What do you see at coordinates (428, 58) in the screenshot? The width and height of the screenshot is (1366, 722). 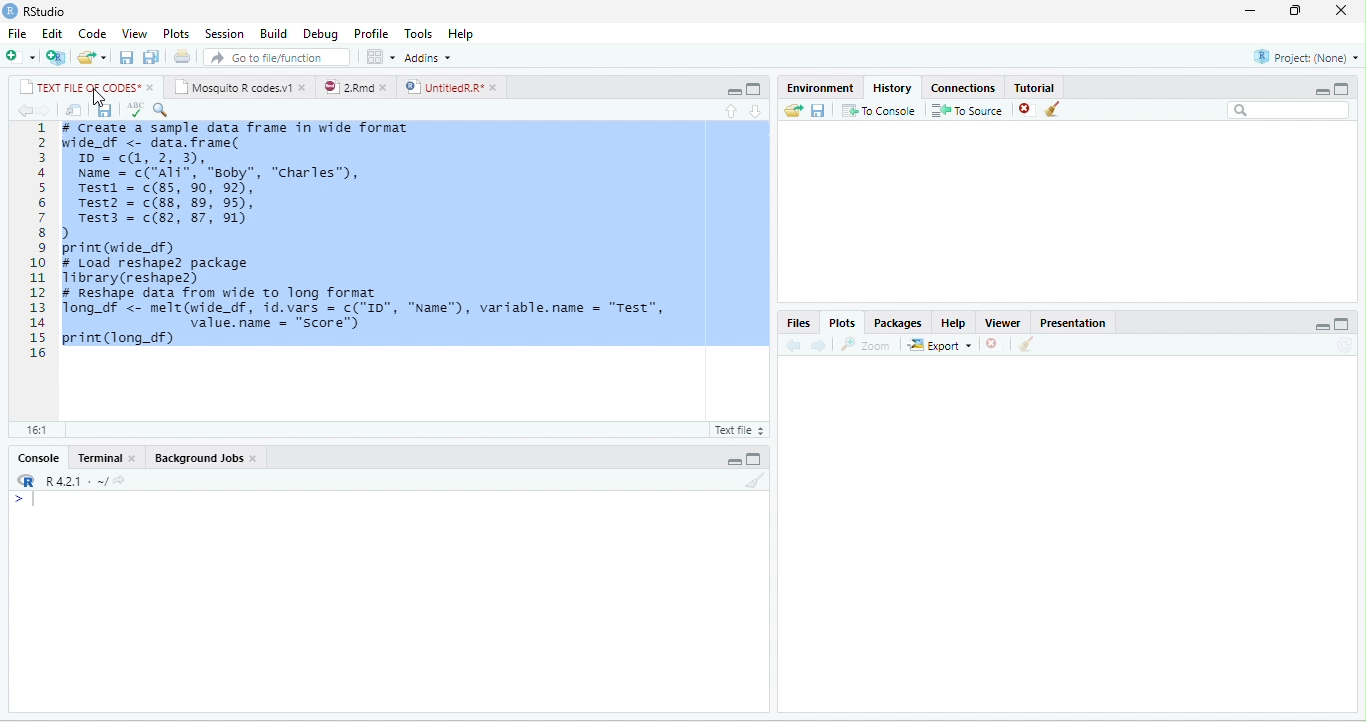 I see `Addins` at bounding box center [428, 58].